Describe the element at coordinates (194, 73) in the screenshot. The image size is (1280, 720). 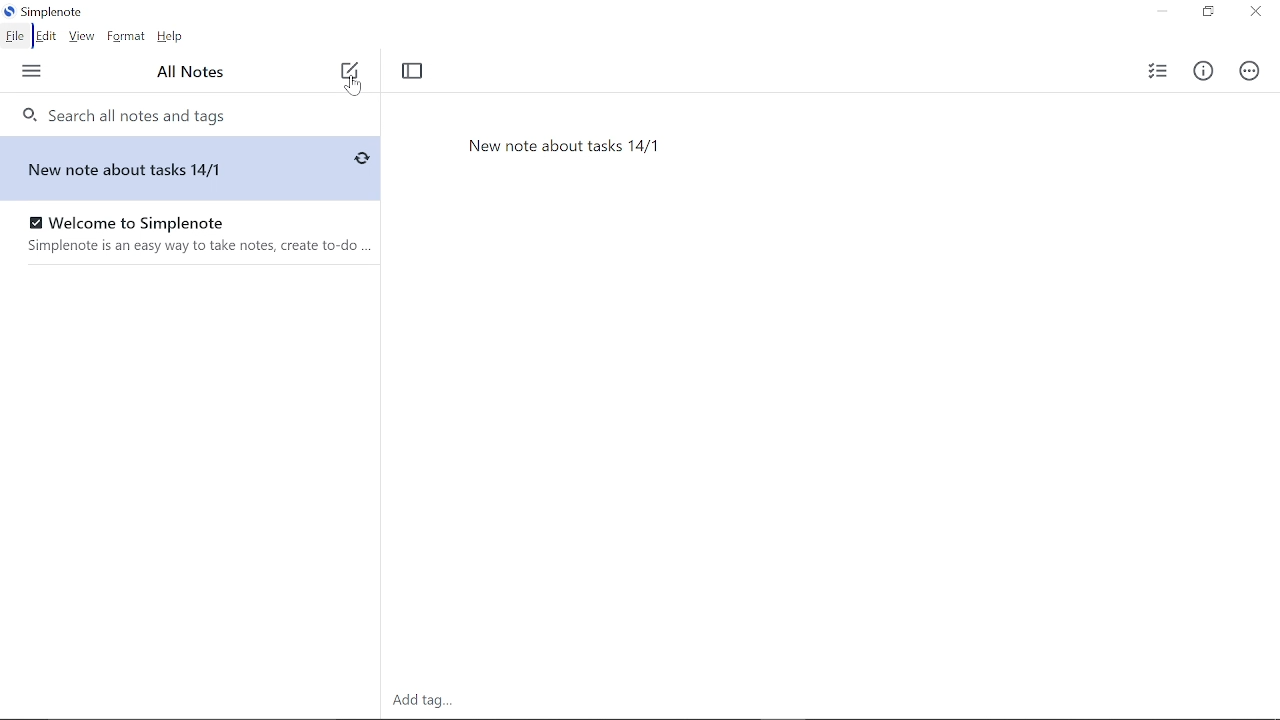
I see `All notes` at that location.